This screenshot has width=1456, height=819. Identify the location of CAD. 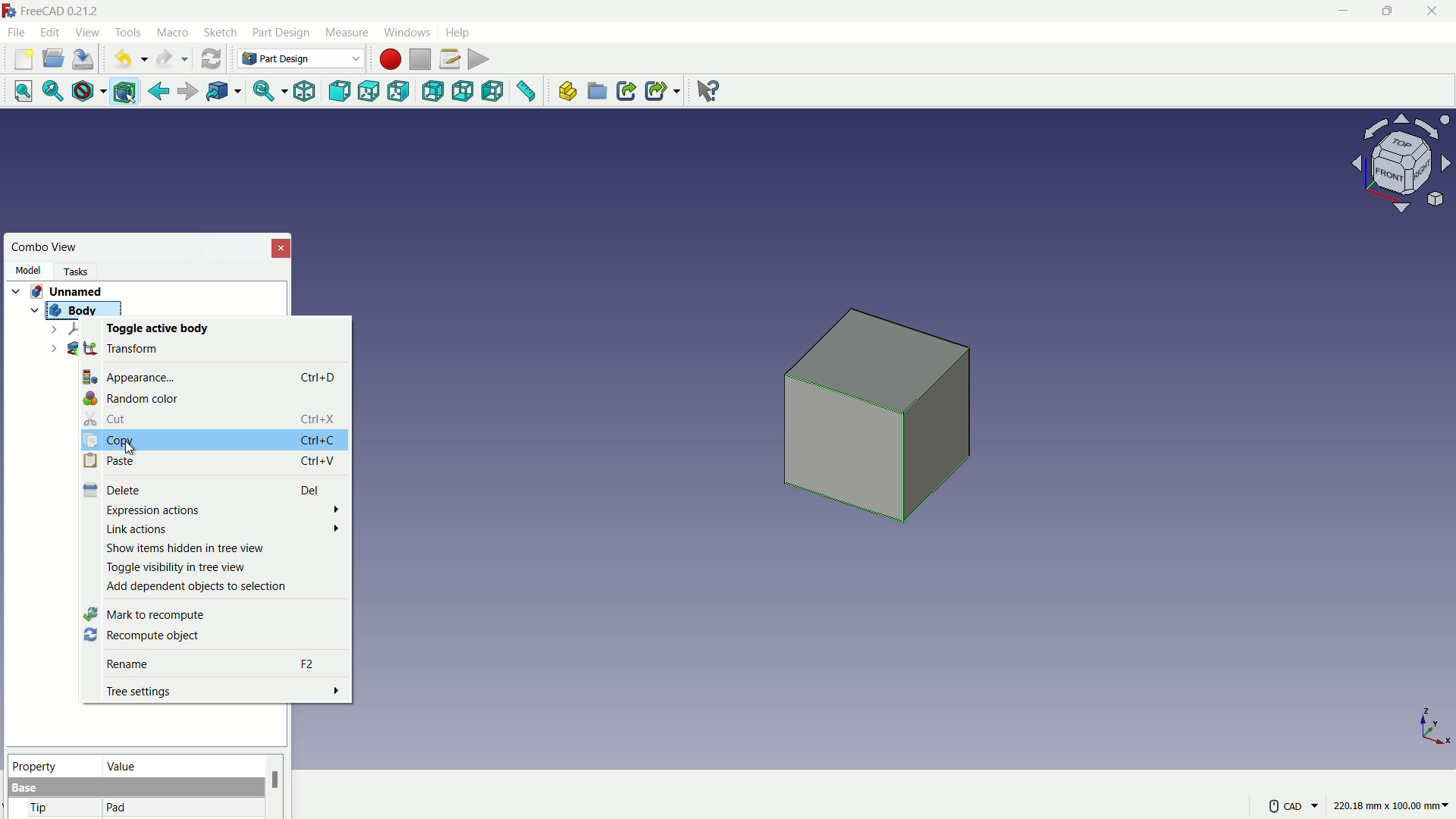
(1291, 805).